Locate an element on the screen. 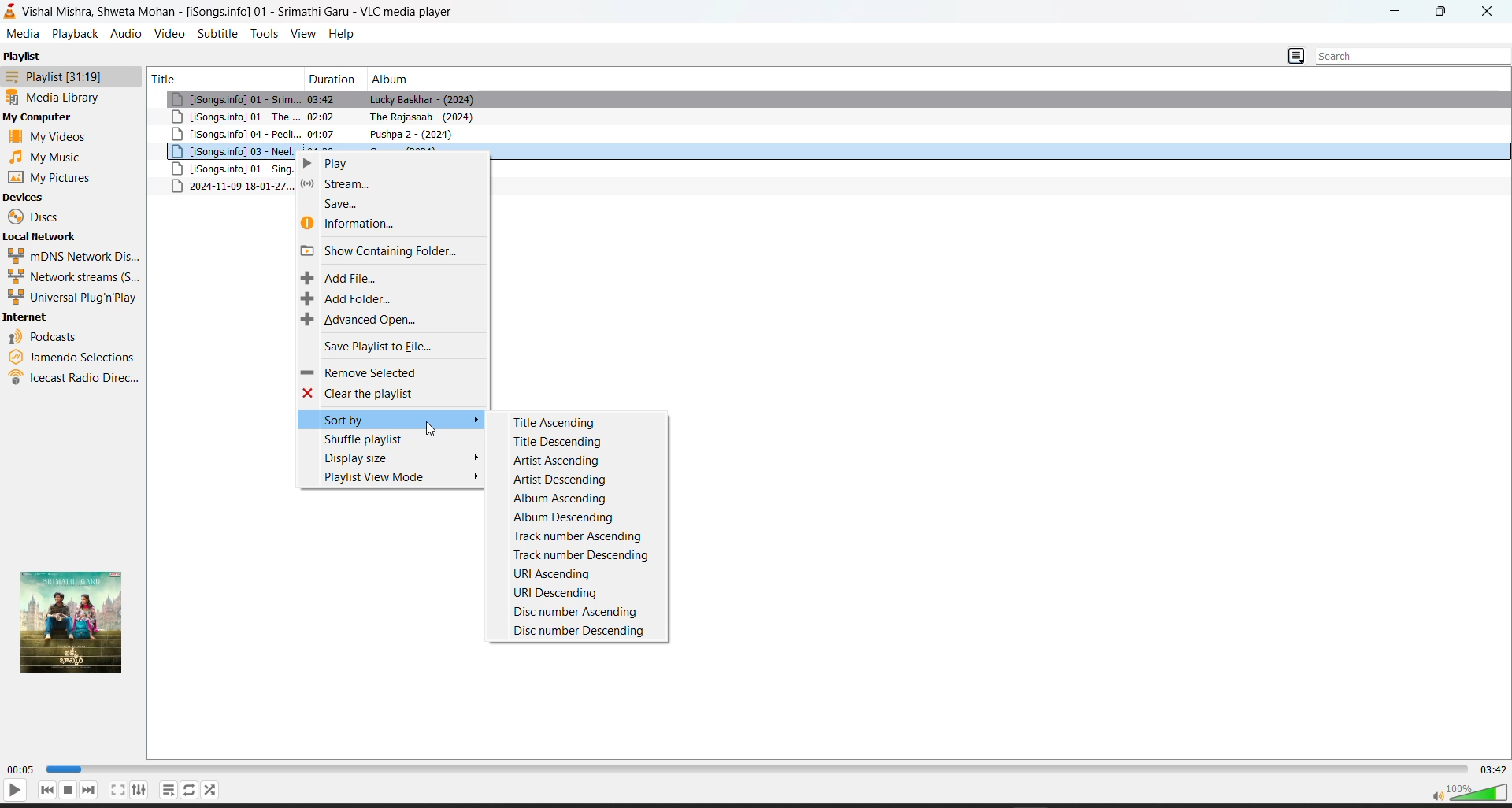 Image resolution: width=1512 pixels, height=808 pixels. metadata is located at coordinates (227, 187).